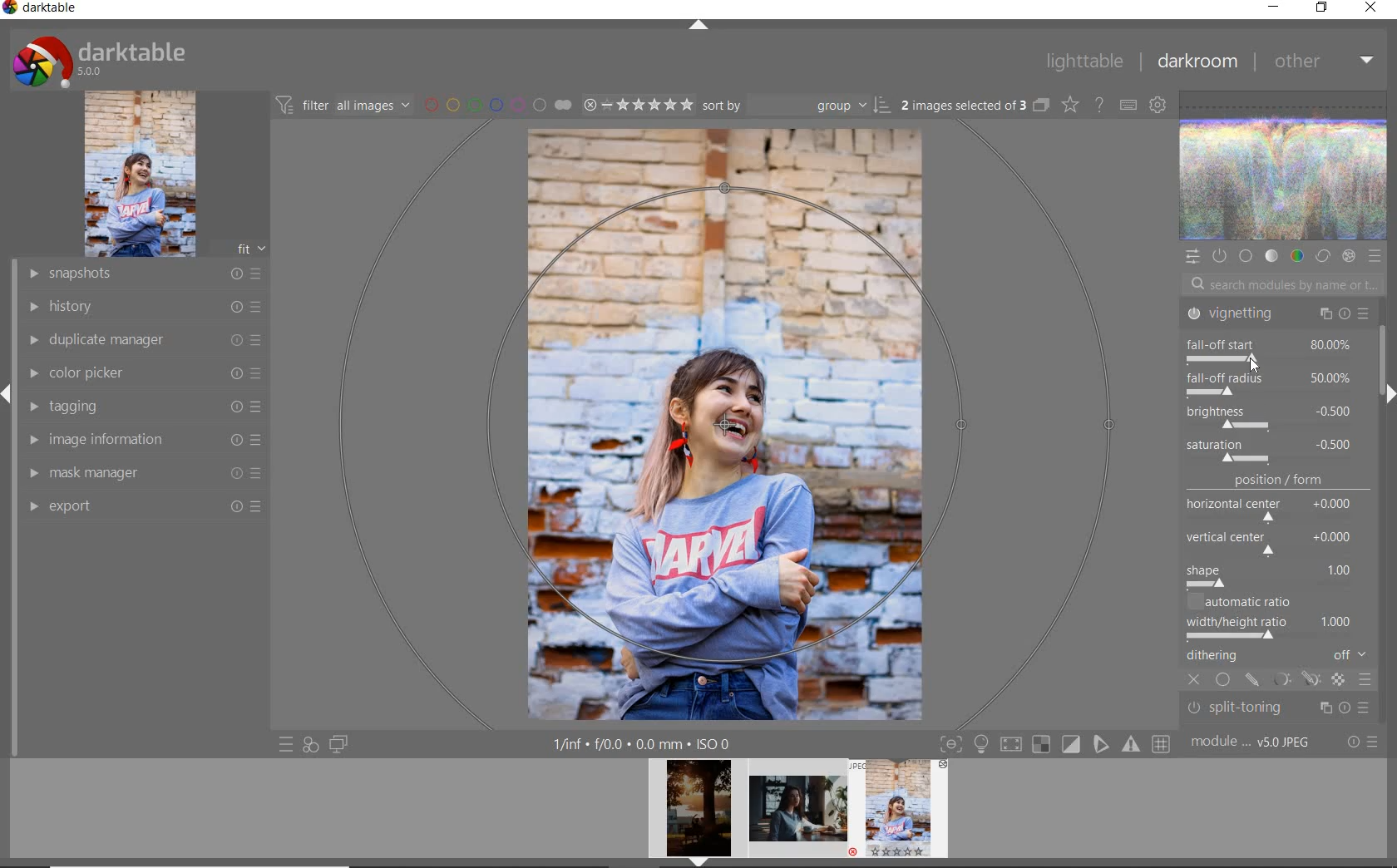  Describe the element at coordinates (1252, 742) in the screenshot. I see `module order` at that location.